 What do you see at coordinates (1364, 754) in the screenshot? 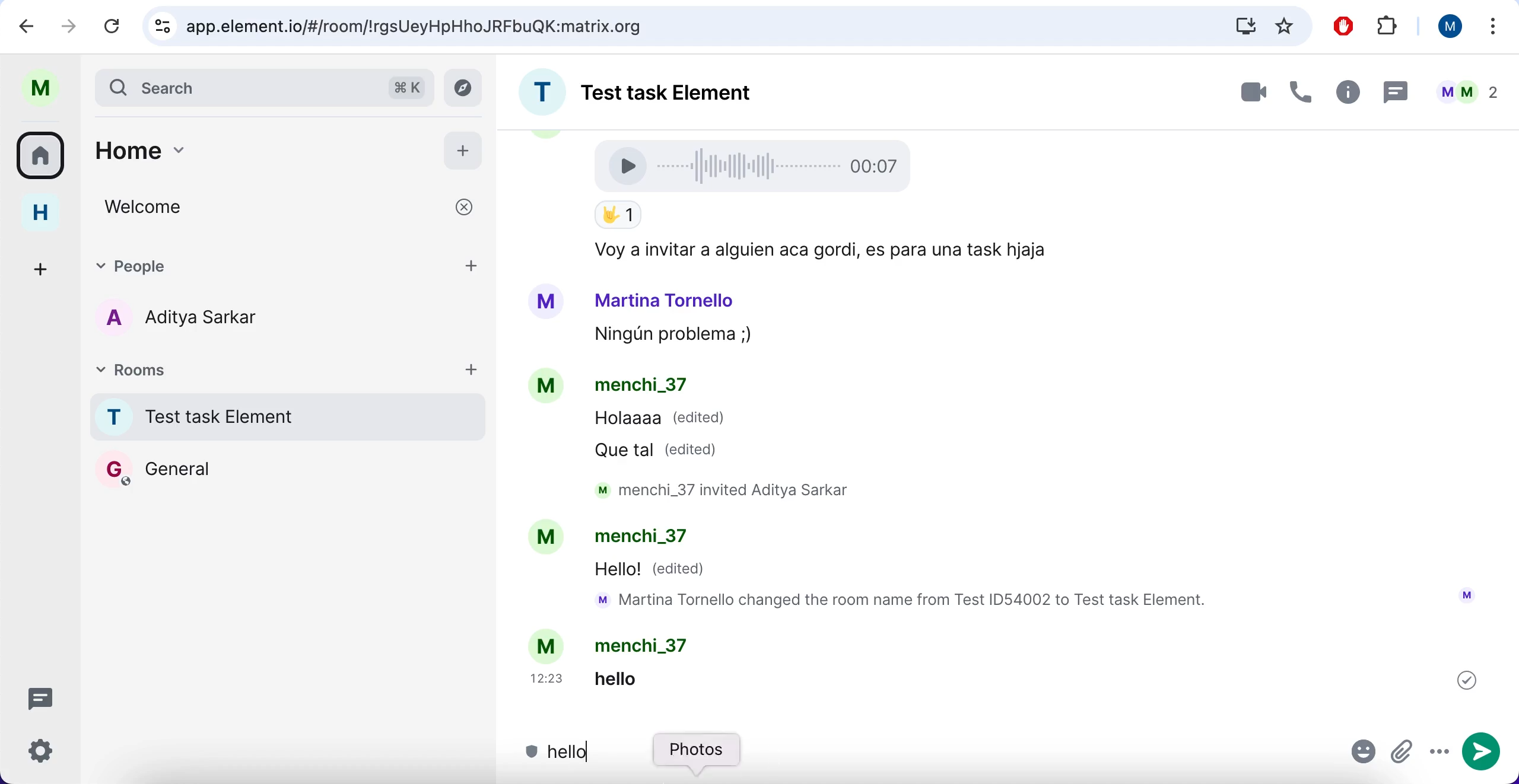
I see `emoji` at bounding box center [1364, 754].